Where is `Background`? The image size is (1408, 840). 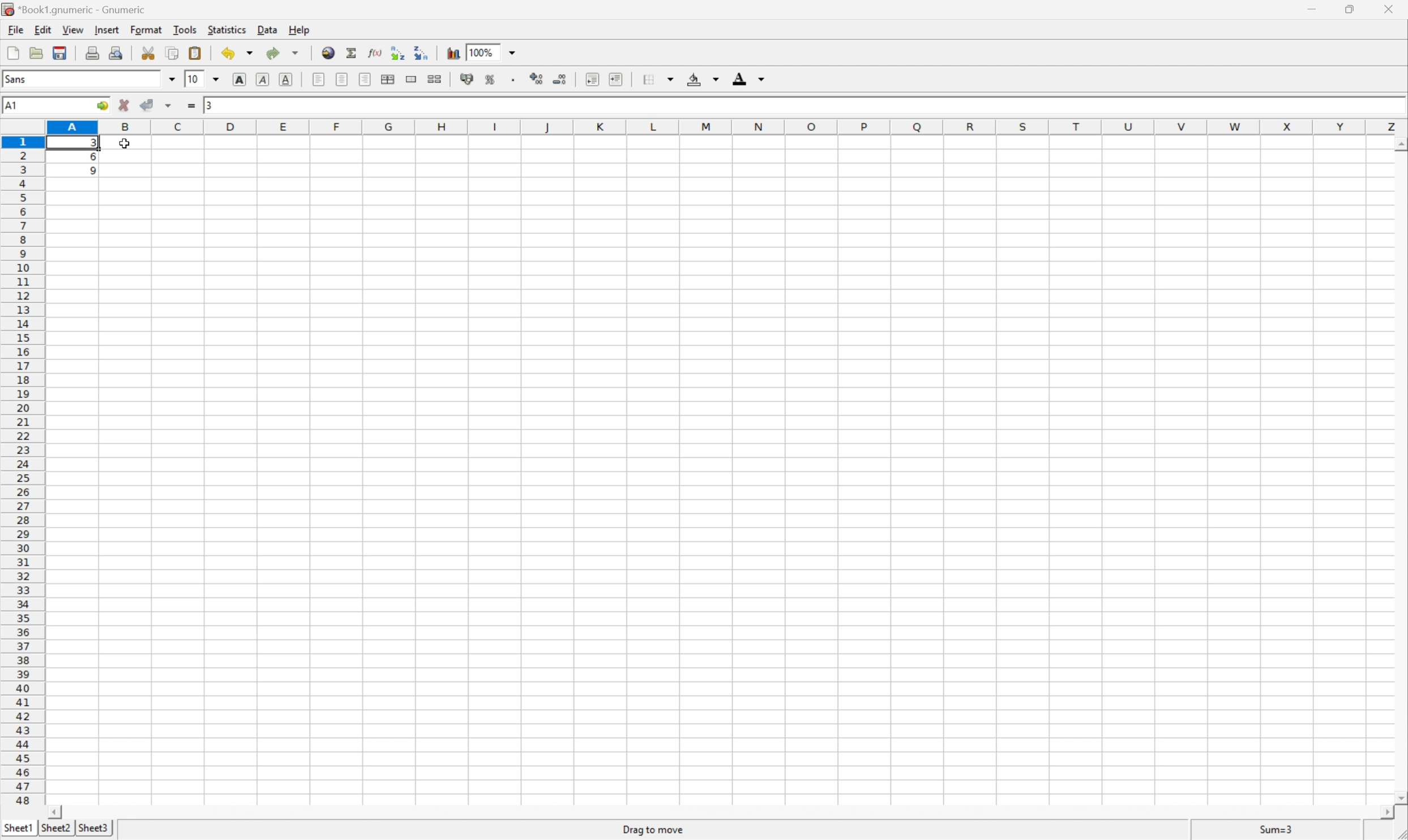
Background is located at coordinates (701, 79).